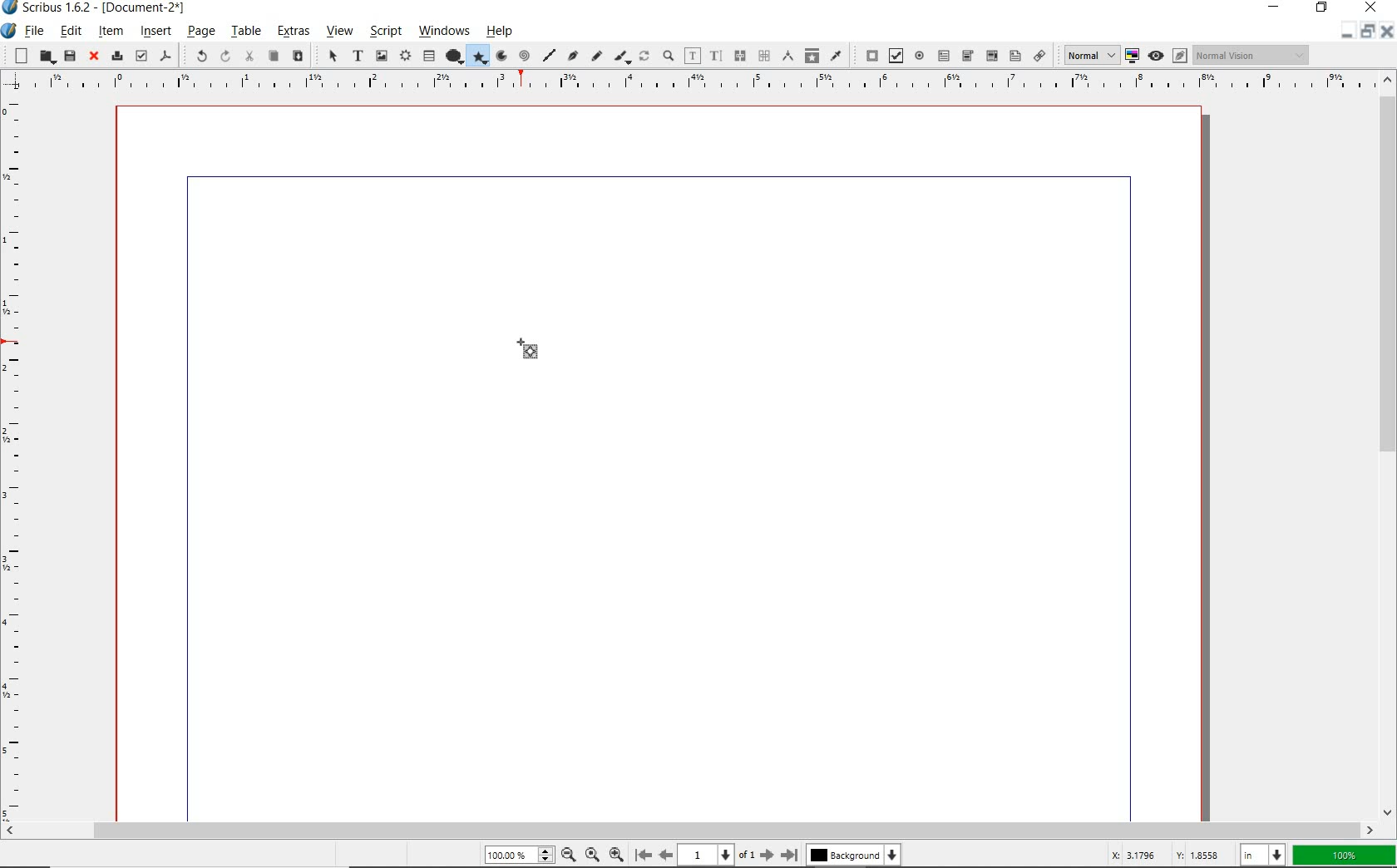 The image size is (1397, 868). What do you see at coordinates (1389, 446) in the screenshot?
I see `scrollbar` at bounding box center [1389, 446].